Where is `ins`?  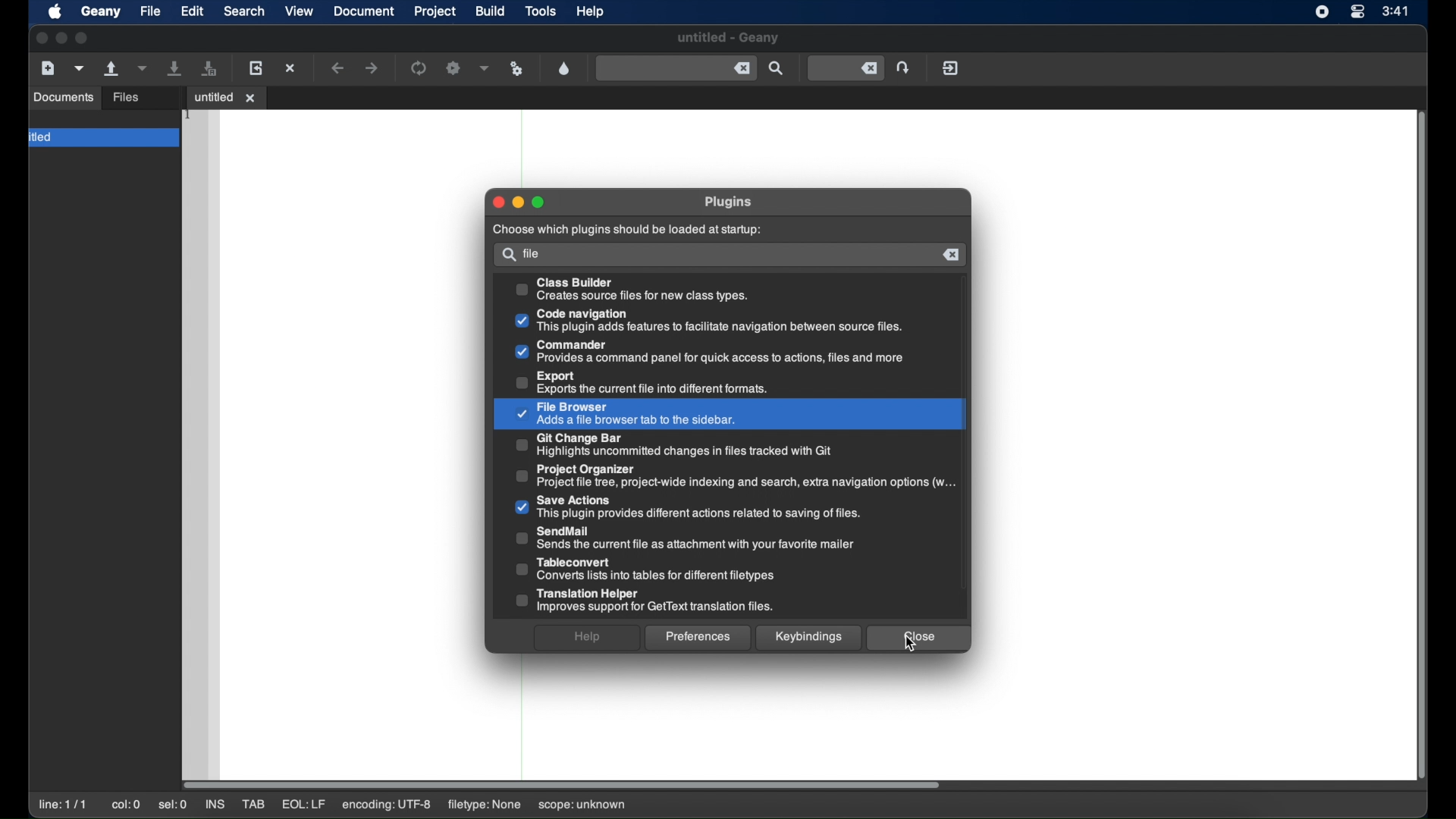
ins is located at coordinates (217, 805).